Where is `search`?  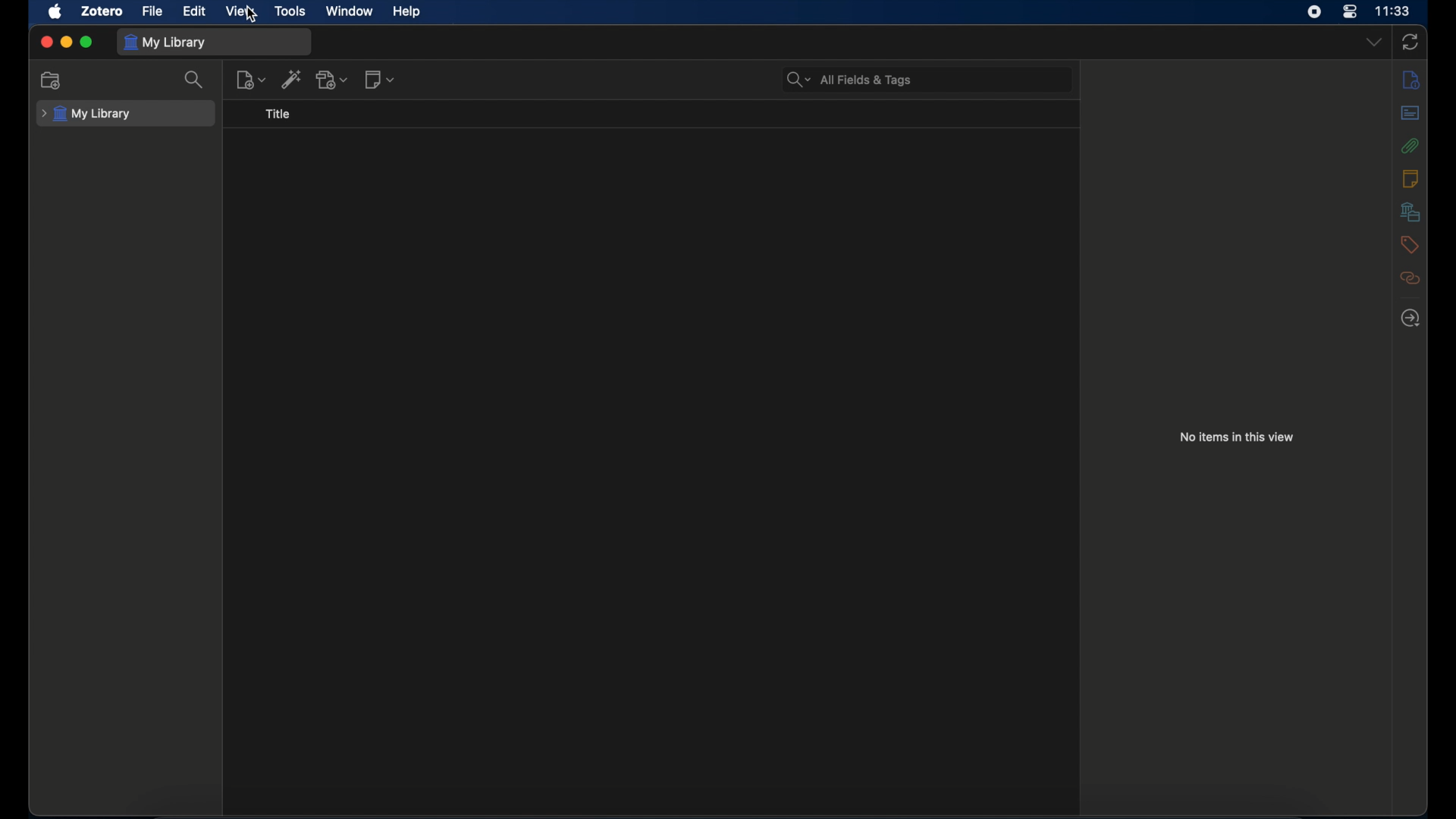
search is located at coordinates (196, 81).